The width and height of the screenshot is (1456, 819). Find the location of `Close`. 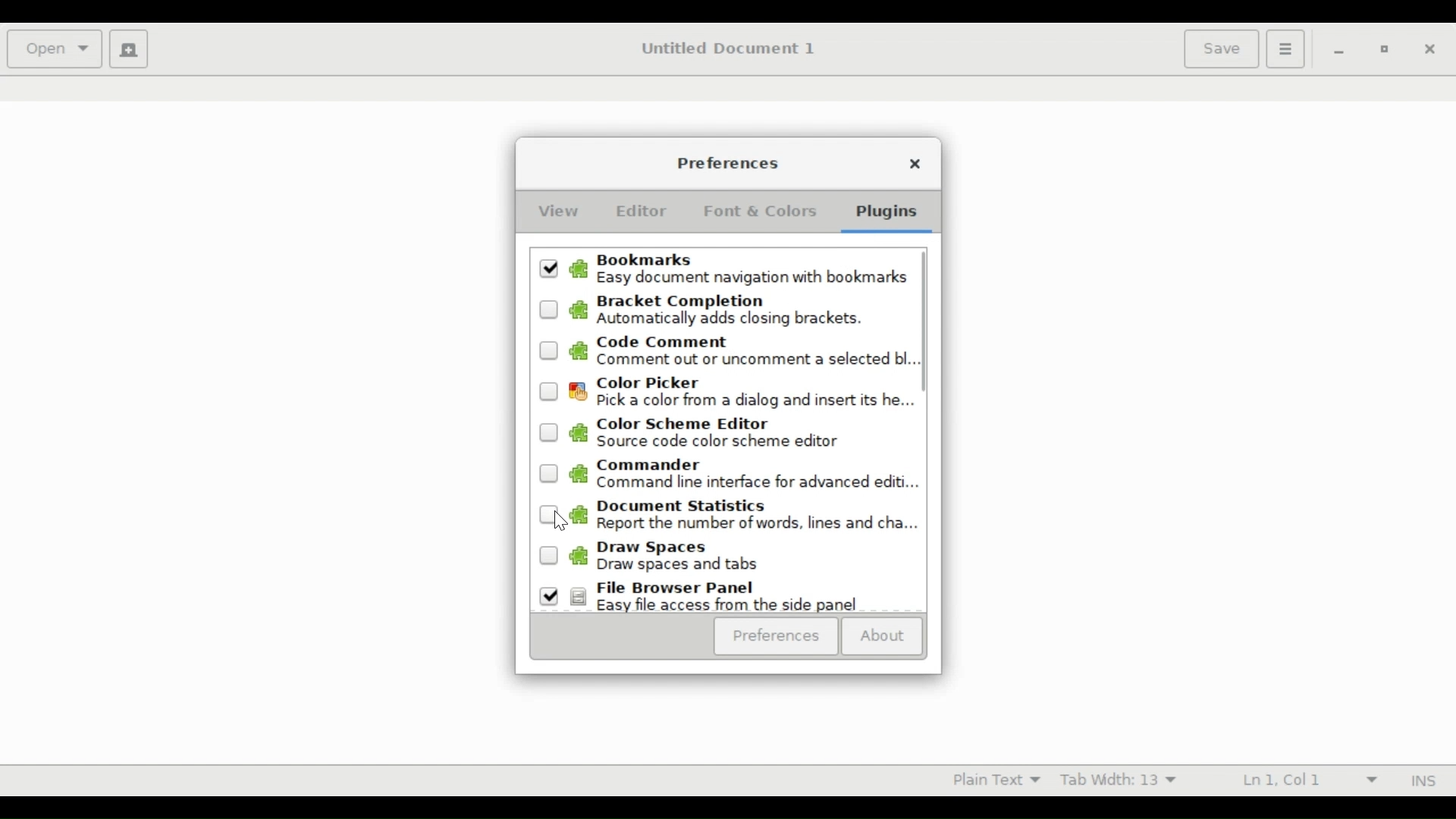

Close is located at coordinates (916, 165).